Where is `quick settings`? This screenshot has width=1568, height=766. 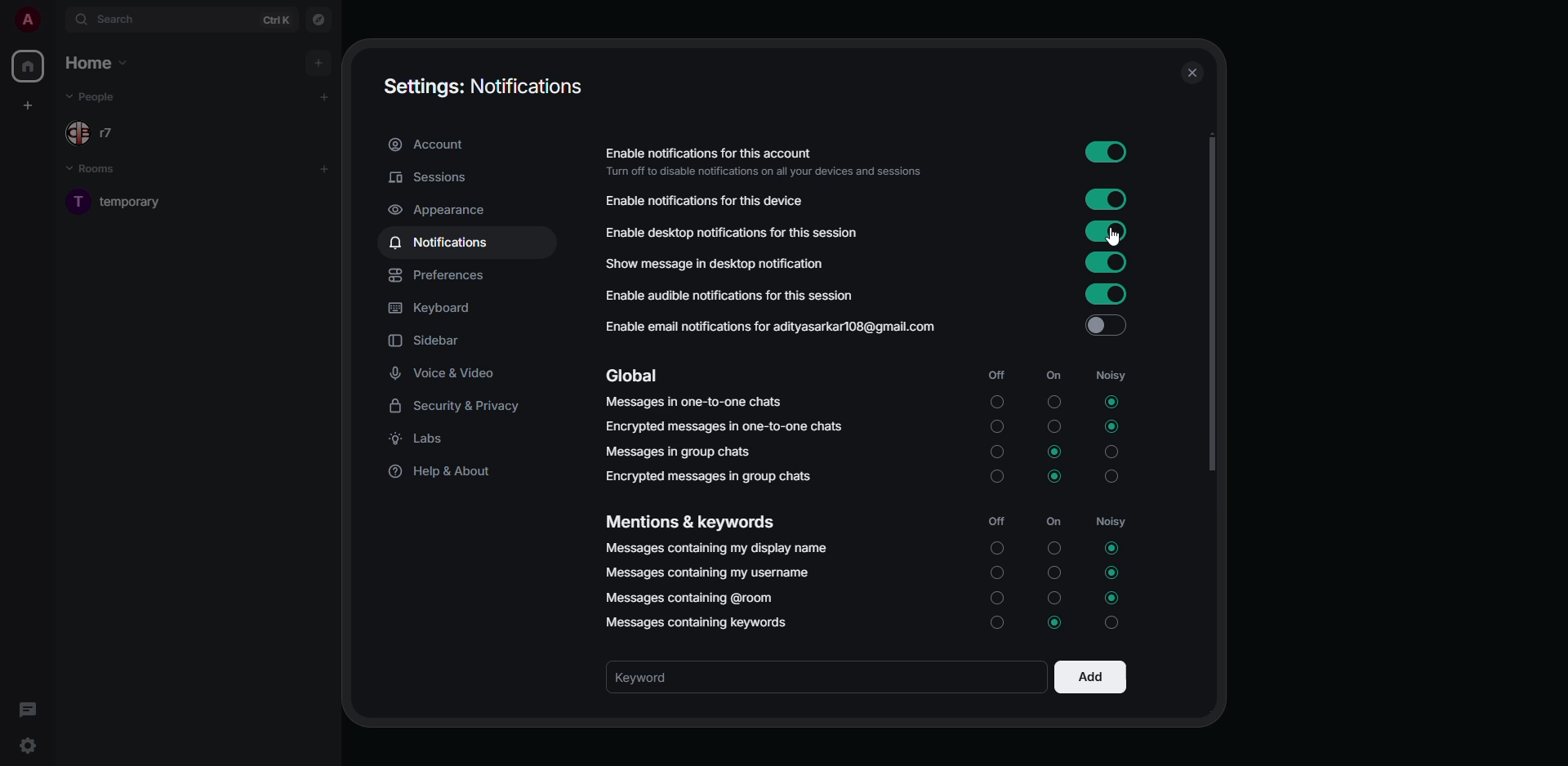
quick settings is located at coordinates (26, 746).